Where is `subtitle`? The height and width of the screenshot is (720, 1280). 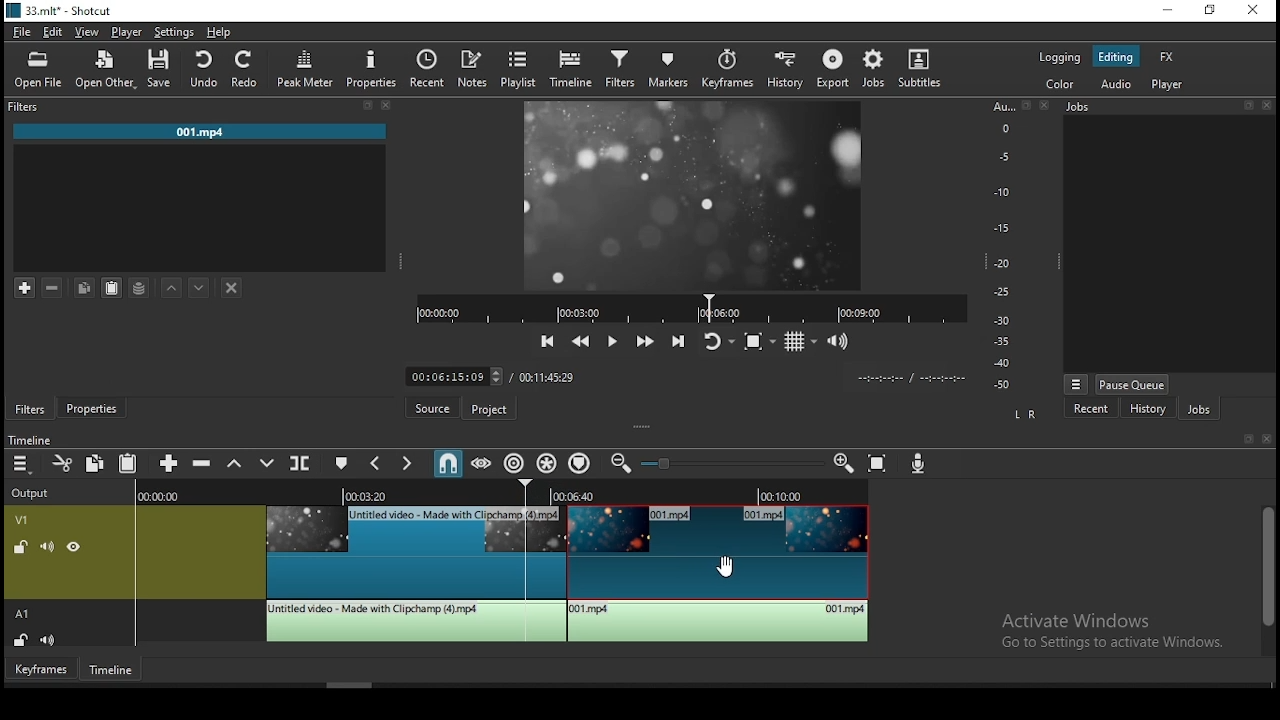 subtitle is located at coordinates (921, 68).